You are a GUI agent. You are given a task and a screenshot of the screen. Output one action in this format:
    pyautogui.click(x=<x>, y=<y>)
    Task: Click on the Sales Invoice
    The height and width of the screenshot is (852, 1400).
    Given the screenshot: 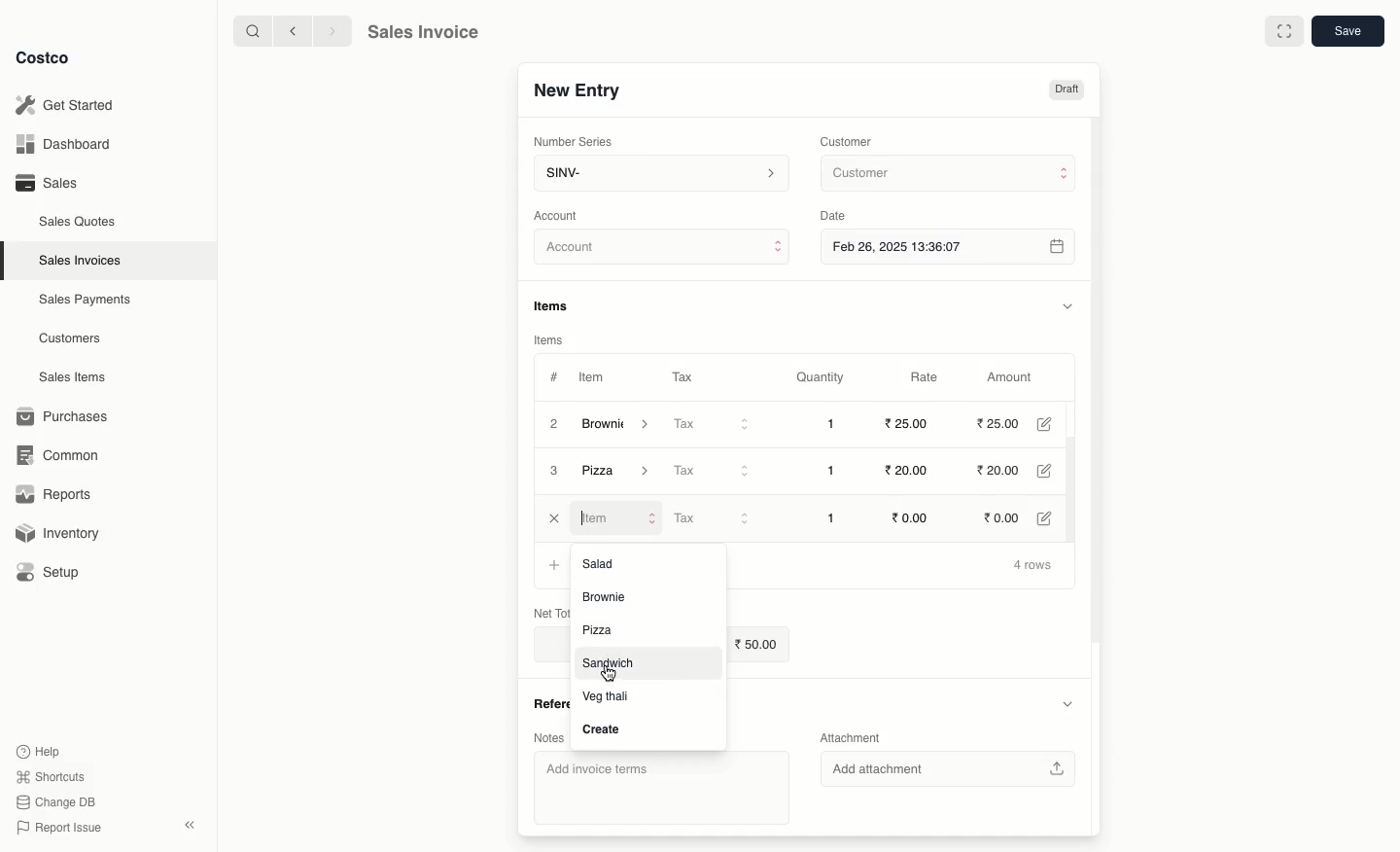 What is the action you would take?
    pyautogui.click(x=423, y=34)
    